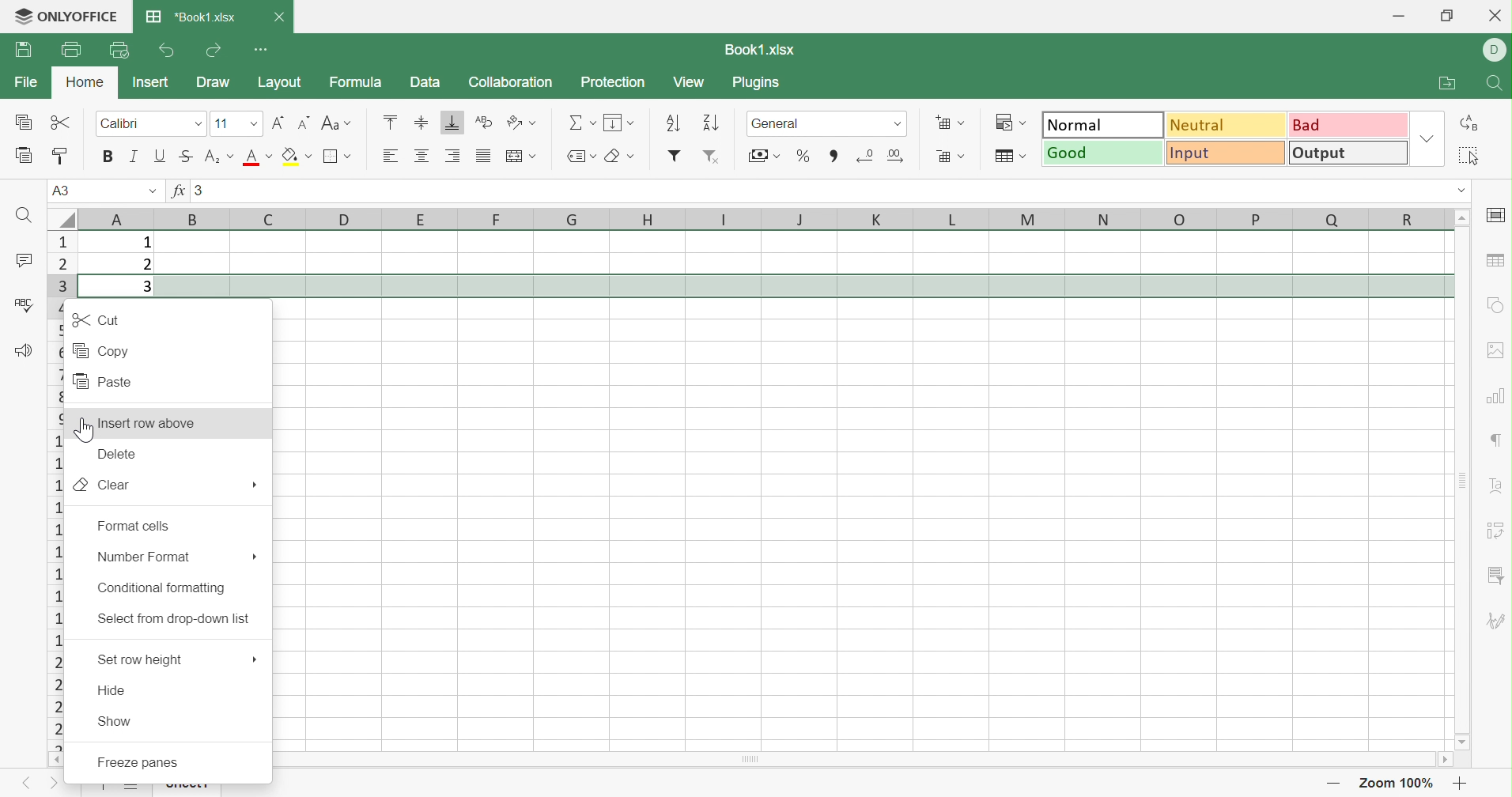  I want to click on Drop Down, so click(270, 154).